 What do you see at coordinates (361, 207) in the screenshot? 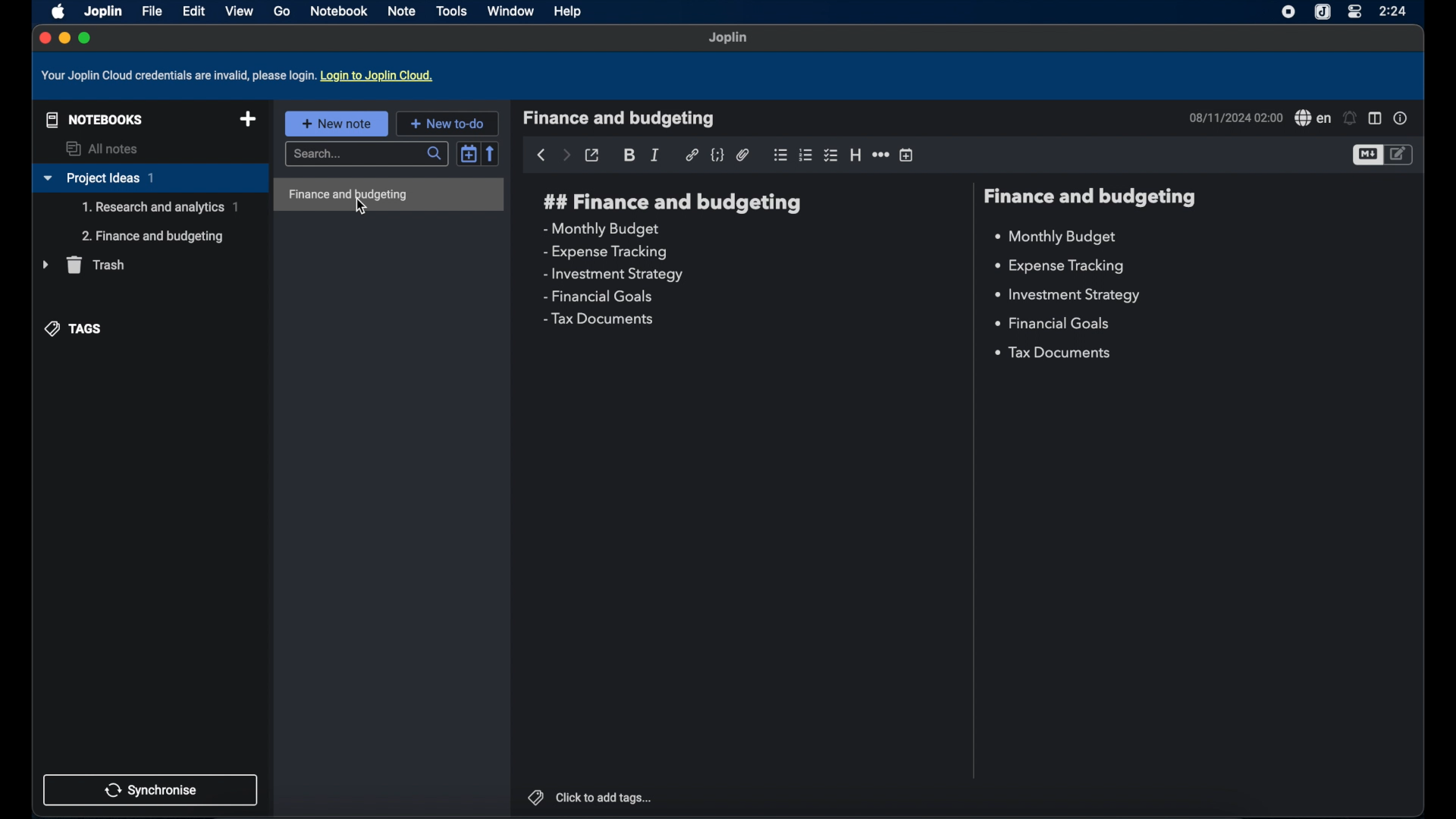
I see `cursor` at bounding box center [361, 207].